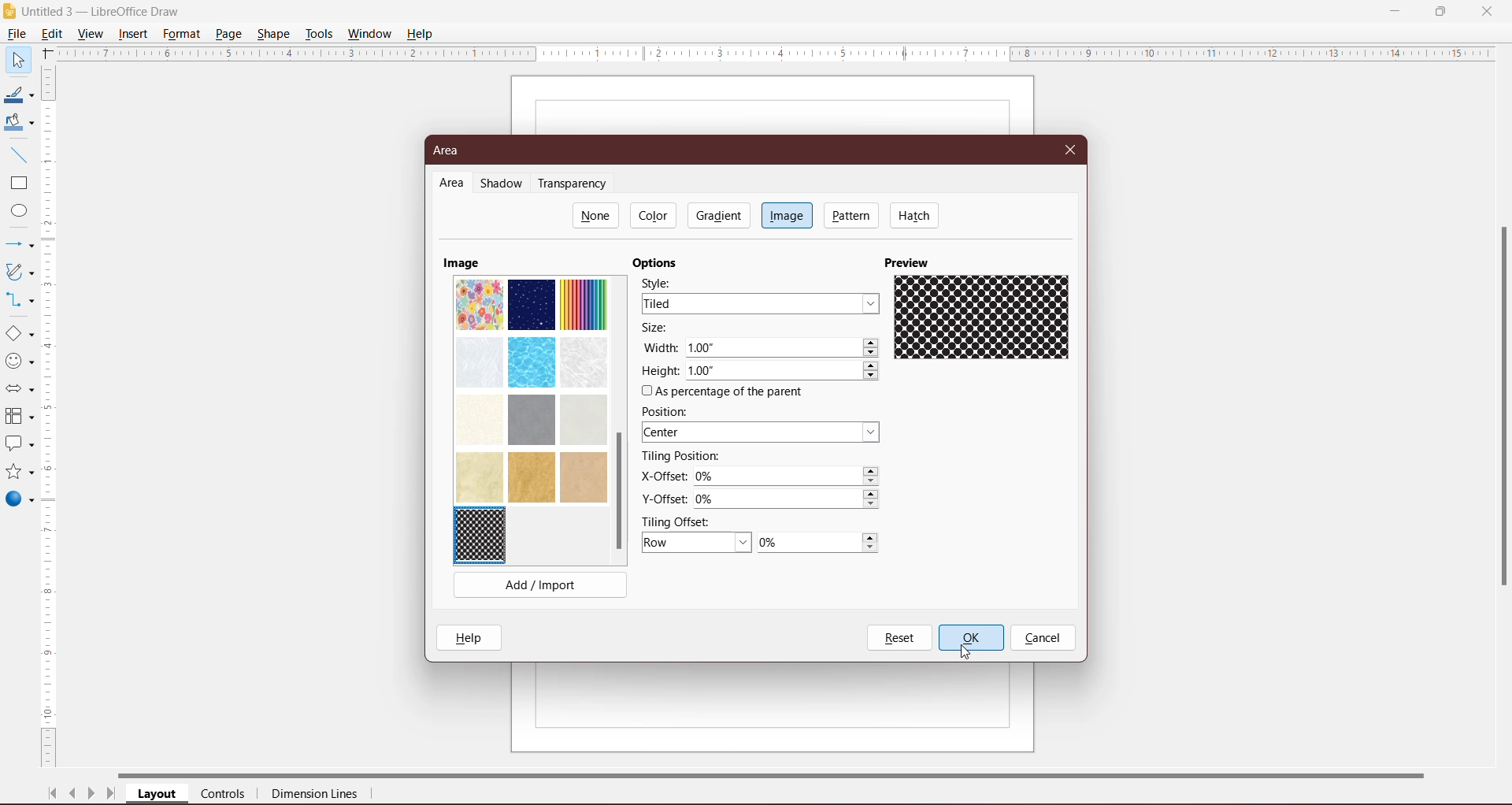 The height and width of the screenshot is (805, 1512). What do you see at coordinates (16, 123) in the screenshot?
I see `Fill Color` at bounding box center [16, 123].